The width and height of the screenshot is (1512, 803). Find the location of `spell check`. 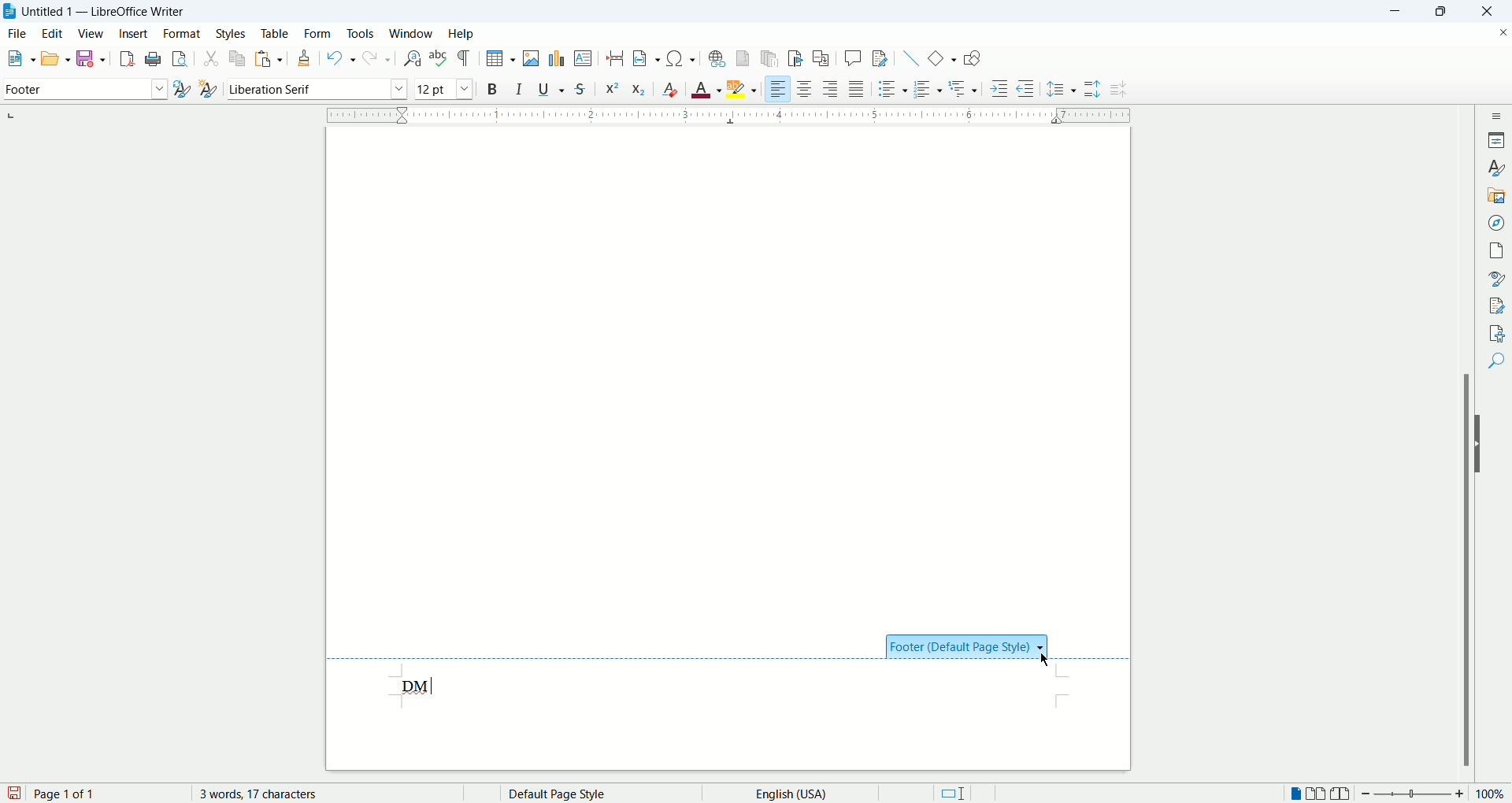

spell check is located at coordinates (440, 58).